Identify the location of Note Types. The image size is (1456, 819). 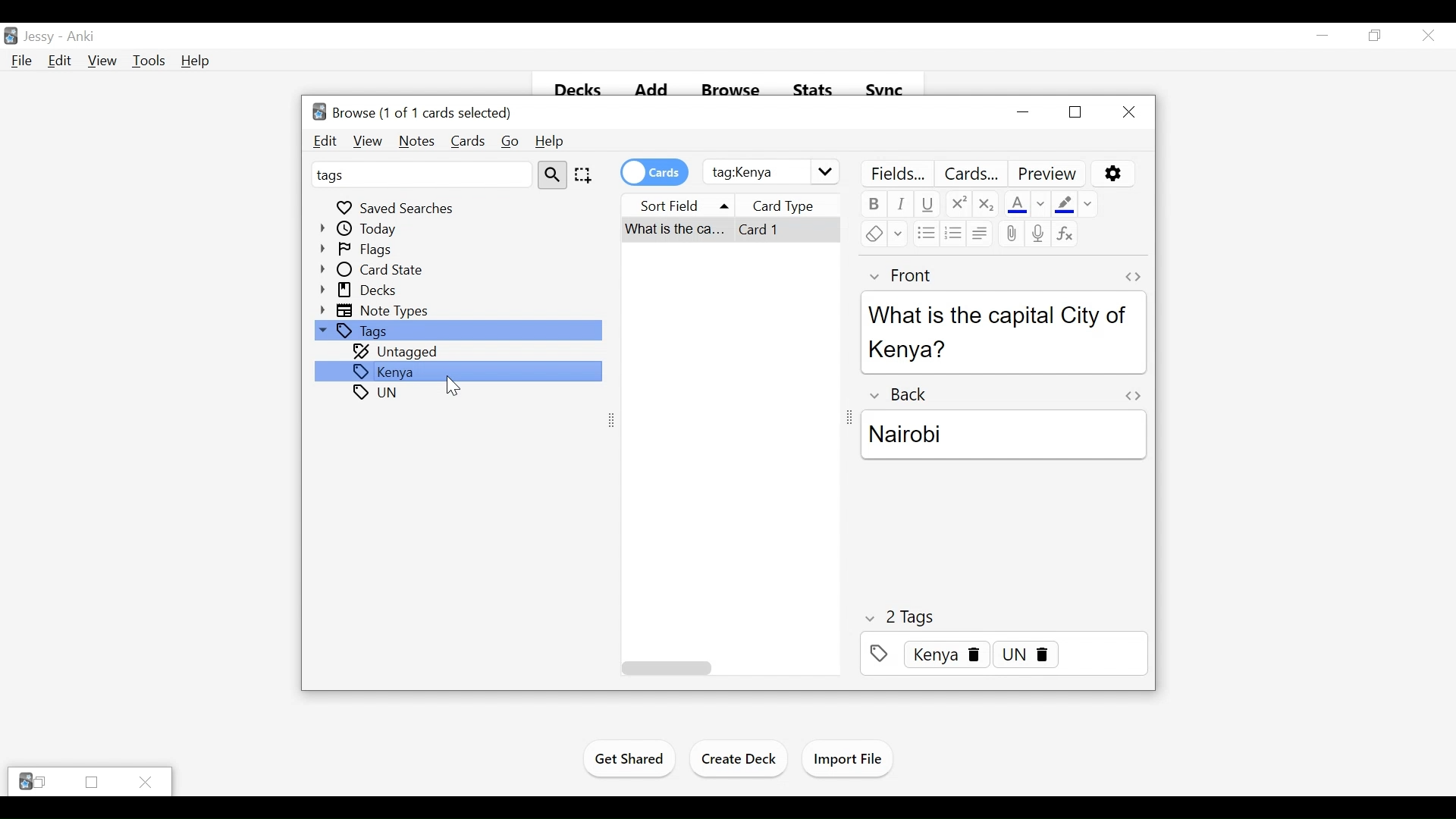
(377, 310).